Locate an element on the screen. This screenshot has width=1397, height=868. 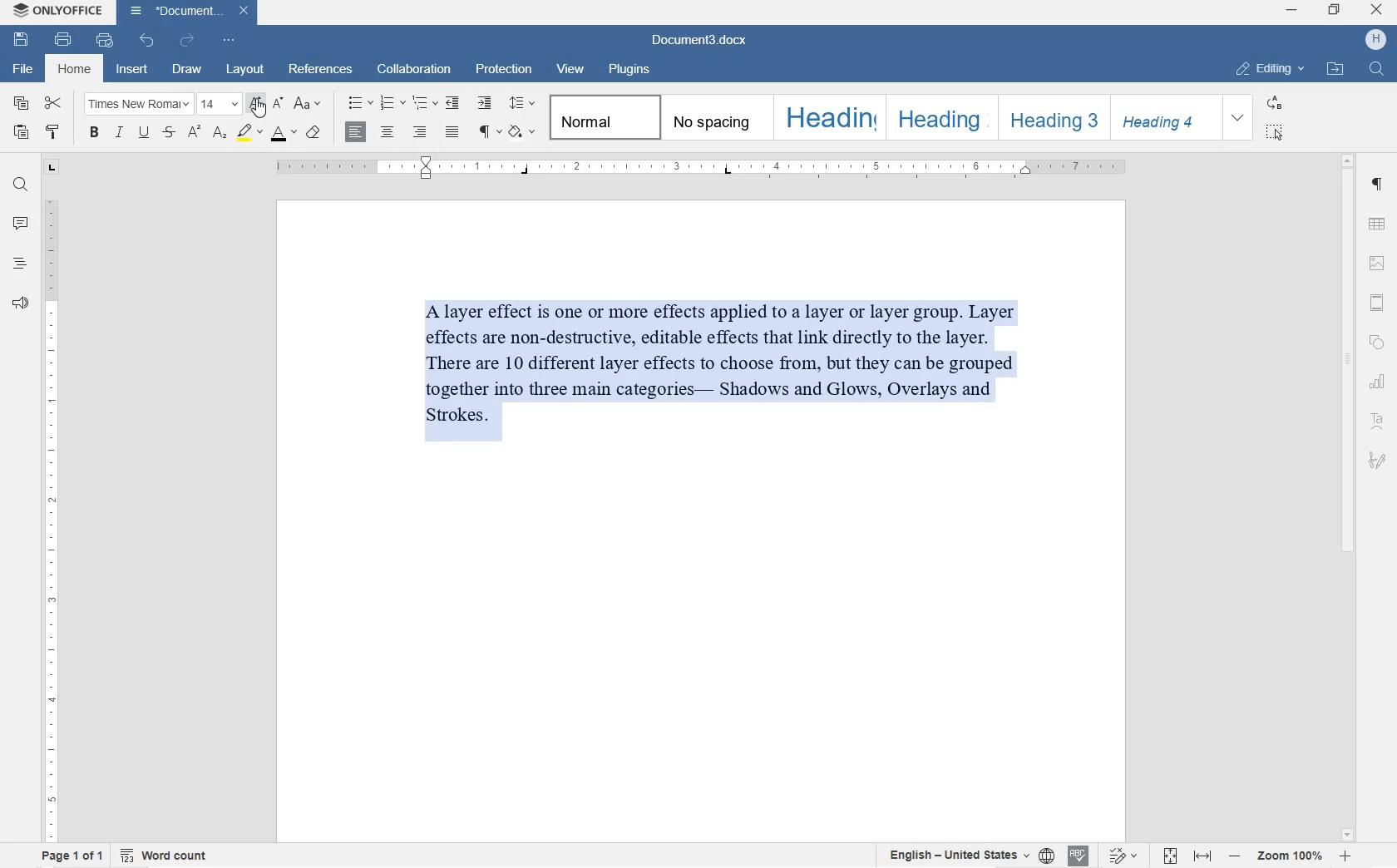
REPLACE is located at coordinates (1274, 103).